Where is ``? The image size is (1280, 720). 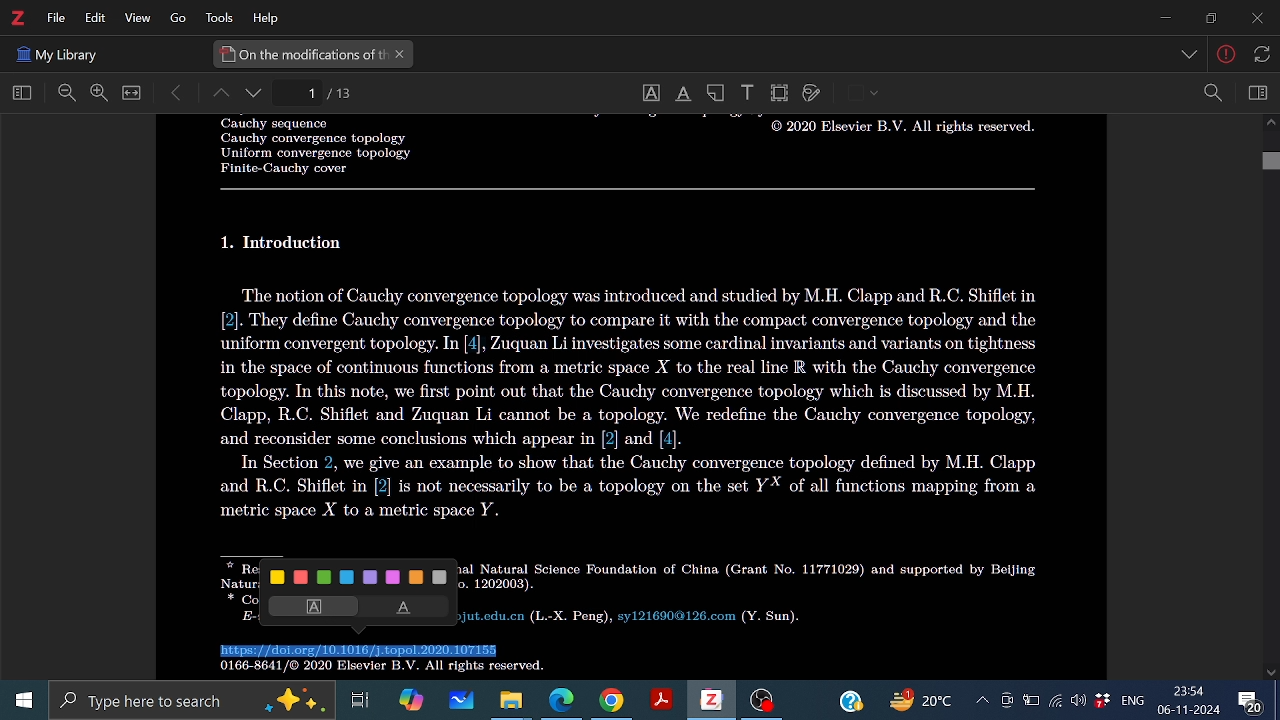
 is located at coordinates (875, 94).